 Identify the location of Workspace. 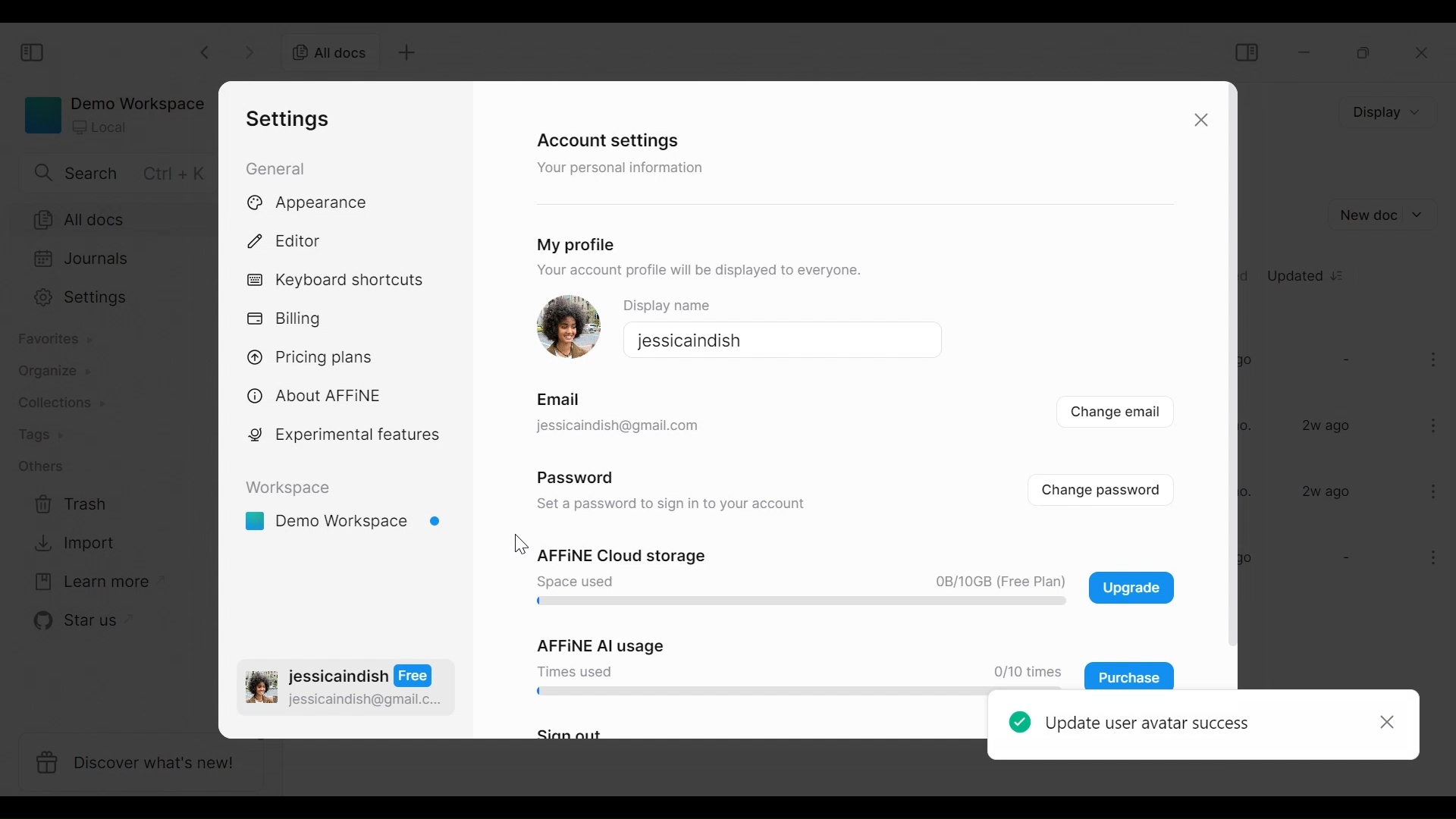
(289, 488).